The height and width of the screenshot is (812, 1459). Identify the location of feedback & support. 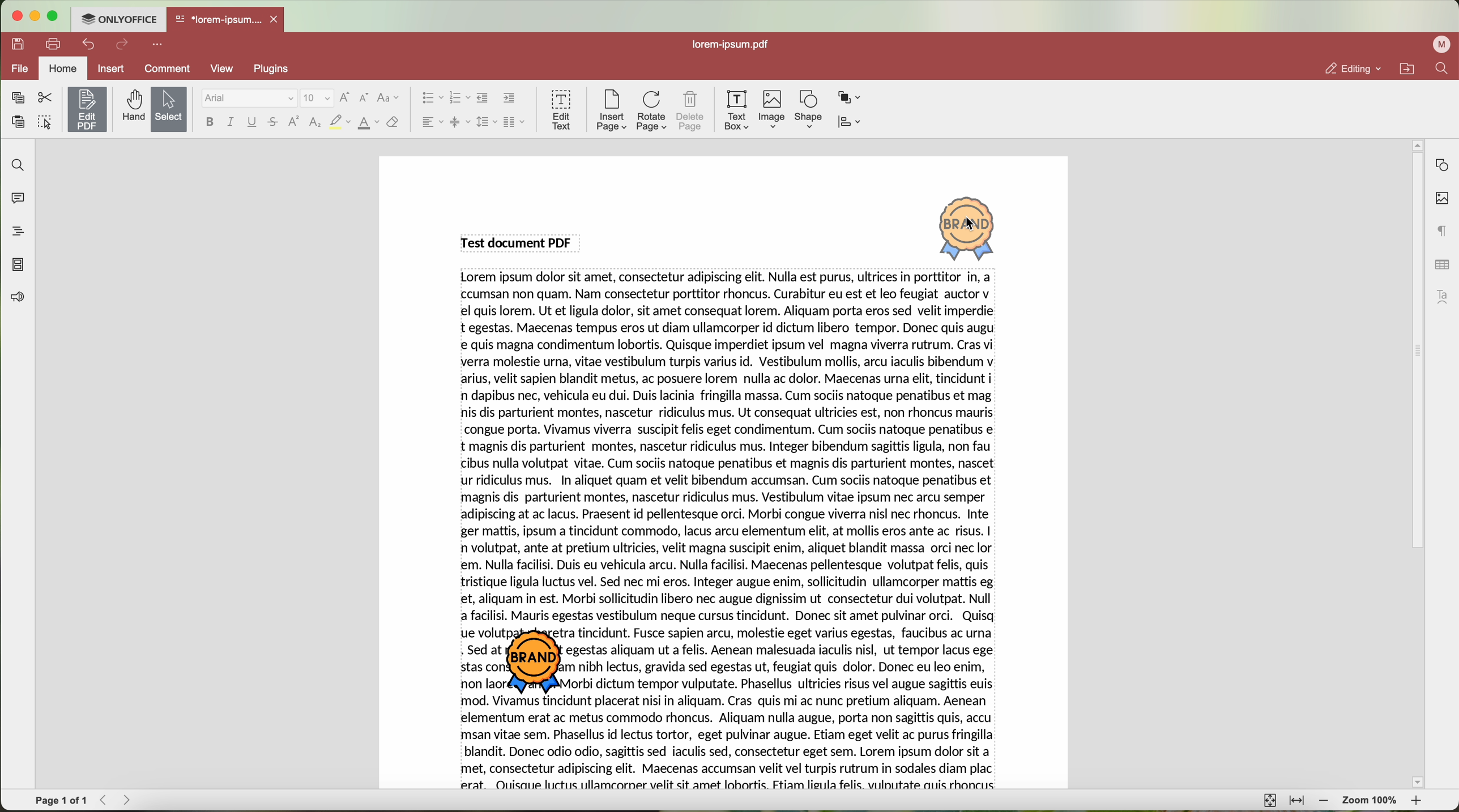
(16, 299).